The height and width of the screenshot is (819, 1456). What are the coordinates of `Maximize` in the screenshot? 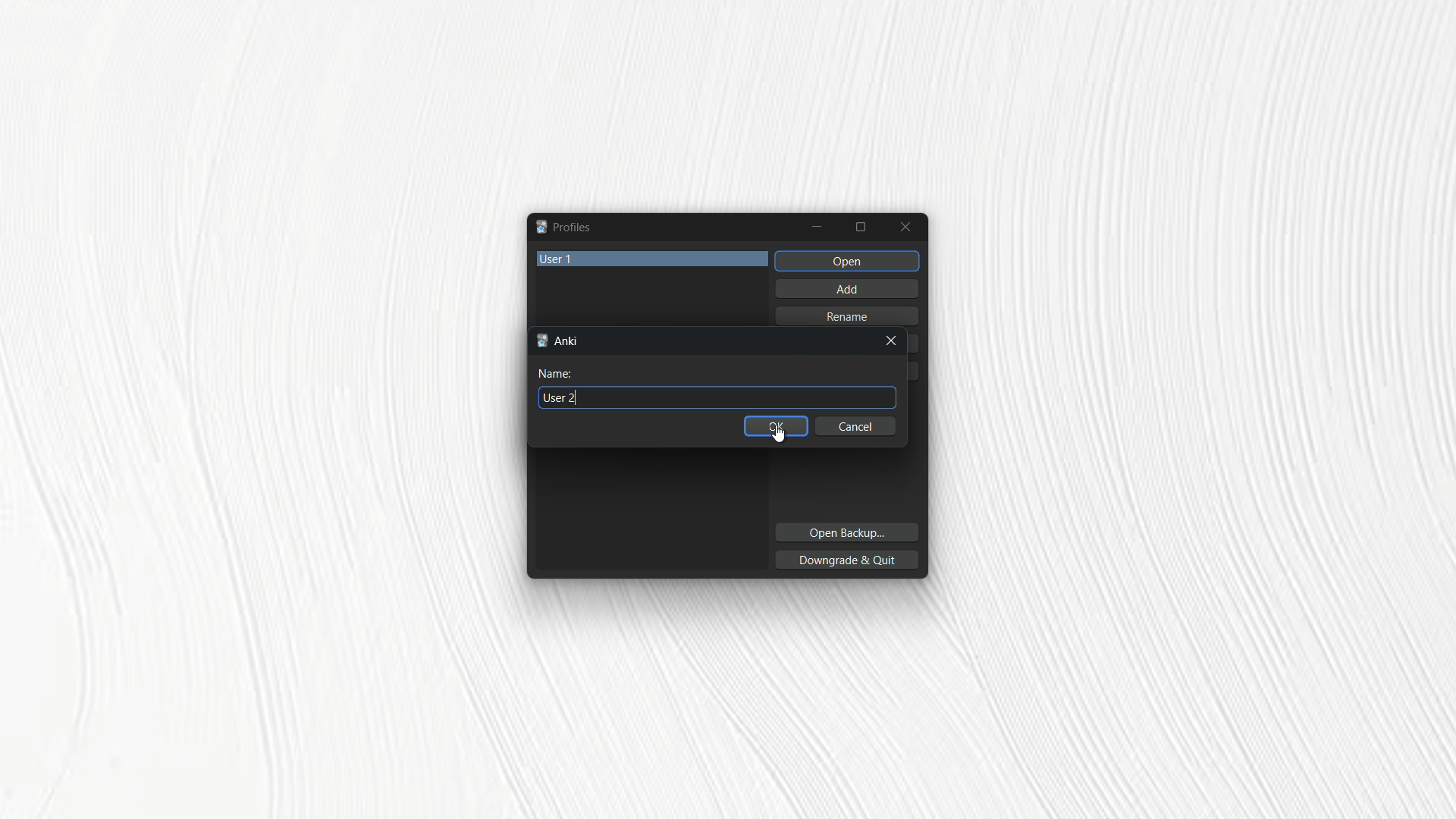 It's located at (863, 227).